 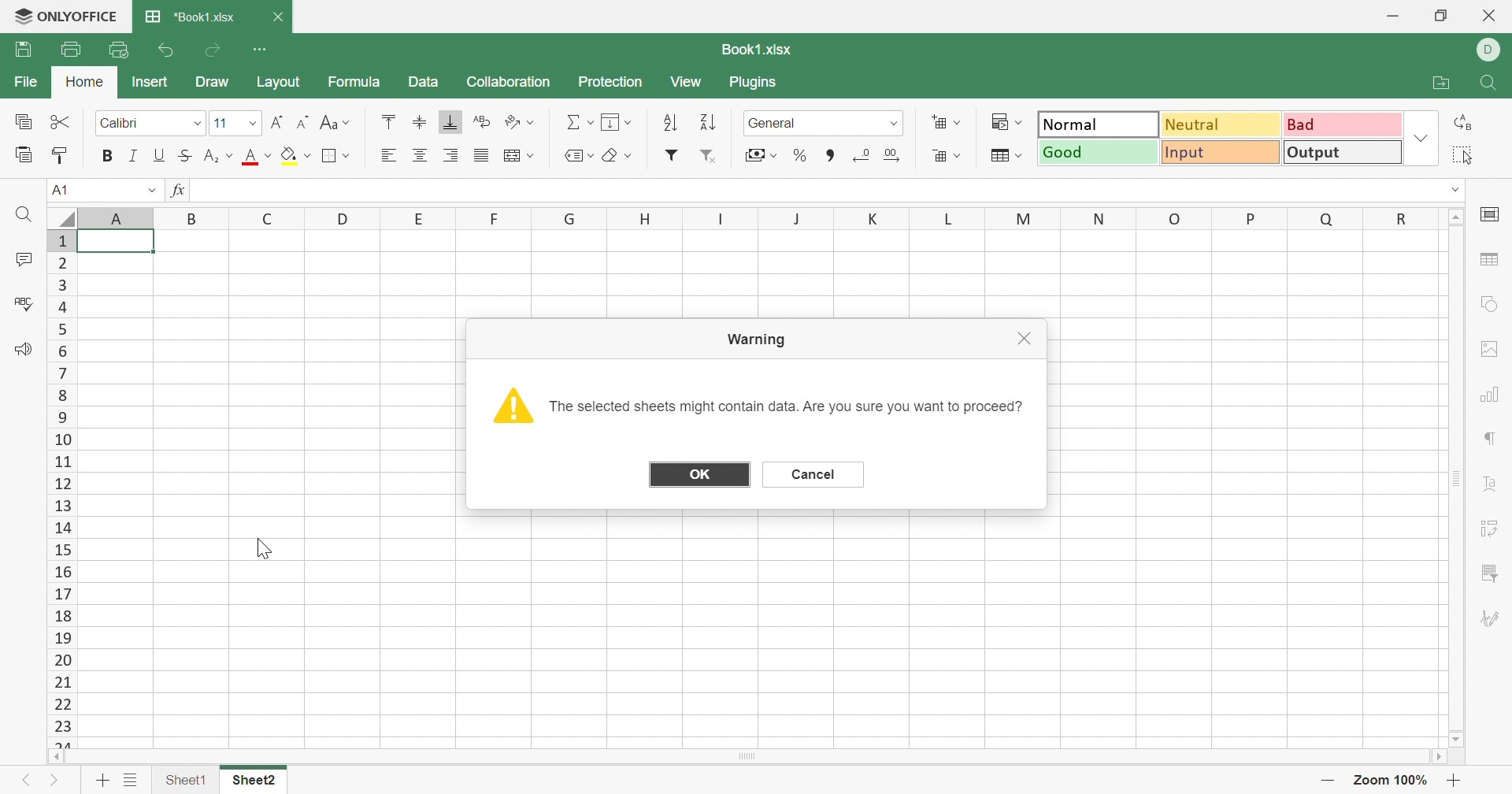 What do you see at coordinates (481, 121) in the screenshot?
I see `Wrap Text` at bounding box center [481, 121].